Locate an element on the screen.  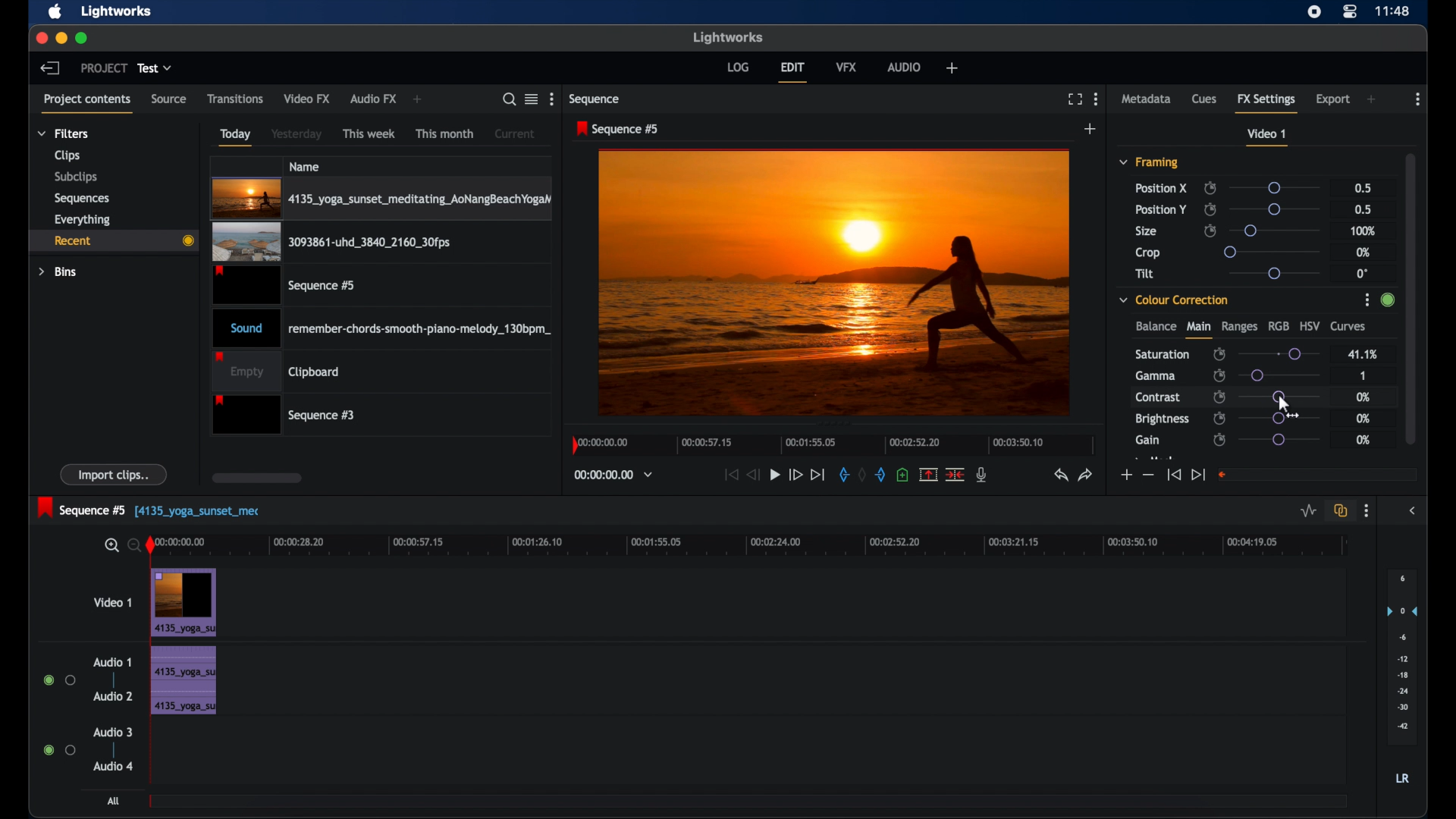
video is located at coordinates (184, 602).